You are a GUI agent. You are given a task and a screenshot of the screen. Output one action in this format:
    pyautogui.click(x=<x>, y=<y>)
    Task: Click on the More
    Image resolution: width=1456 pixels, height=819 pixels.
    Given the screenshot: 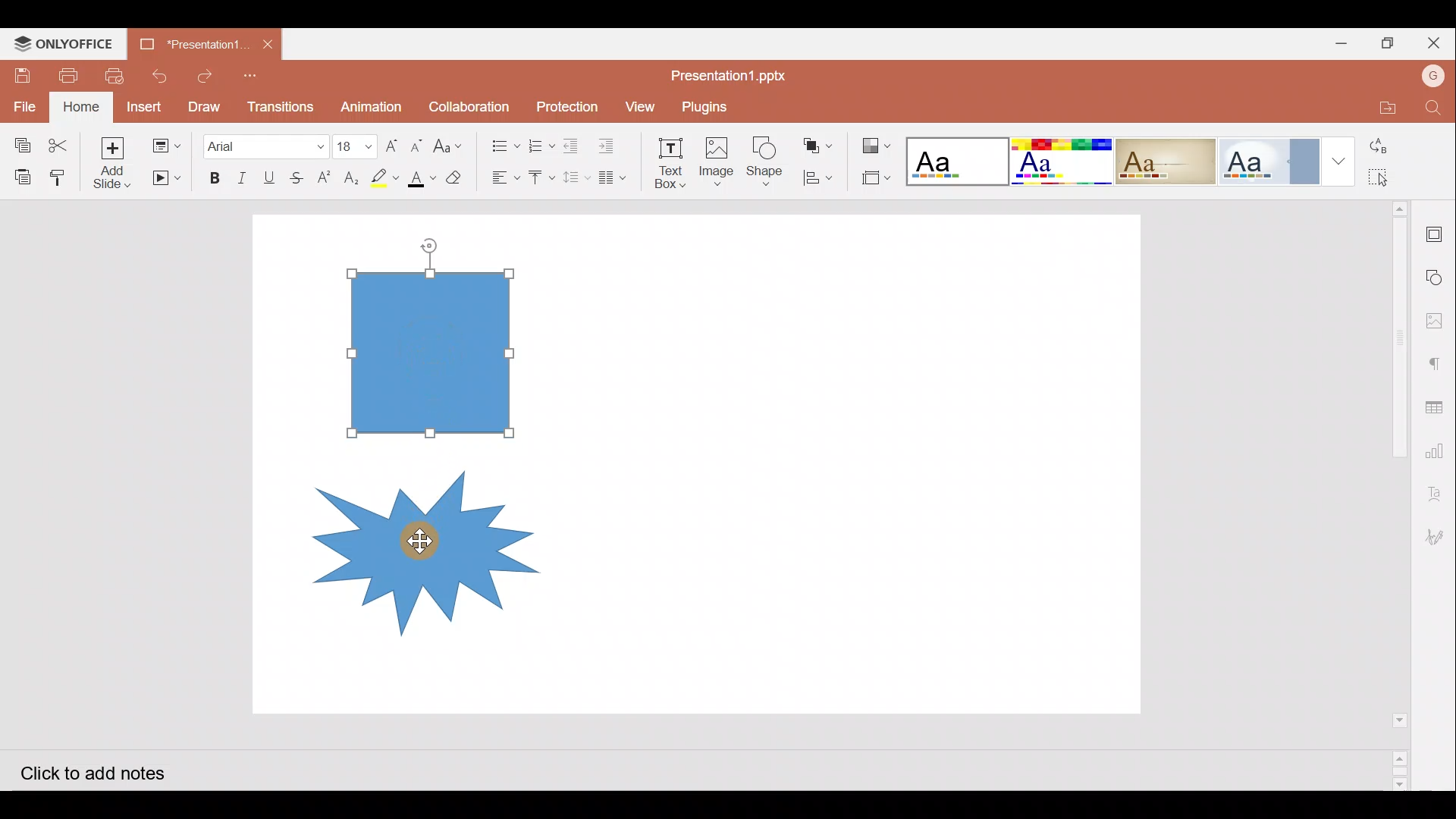 What is the action you would take?
    pyautogui.click(x=1341, y=162)
    